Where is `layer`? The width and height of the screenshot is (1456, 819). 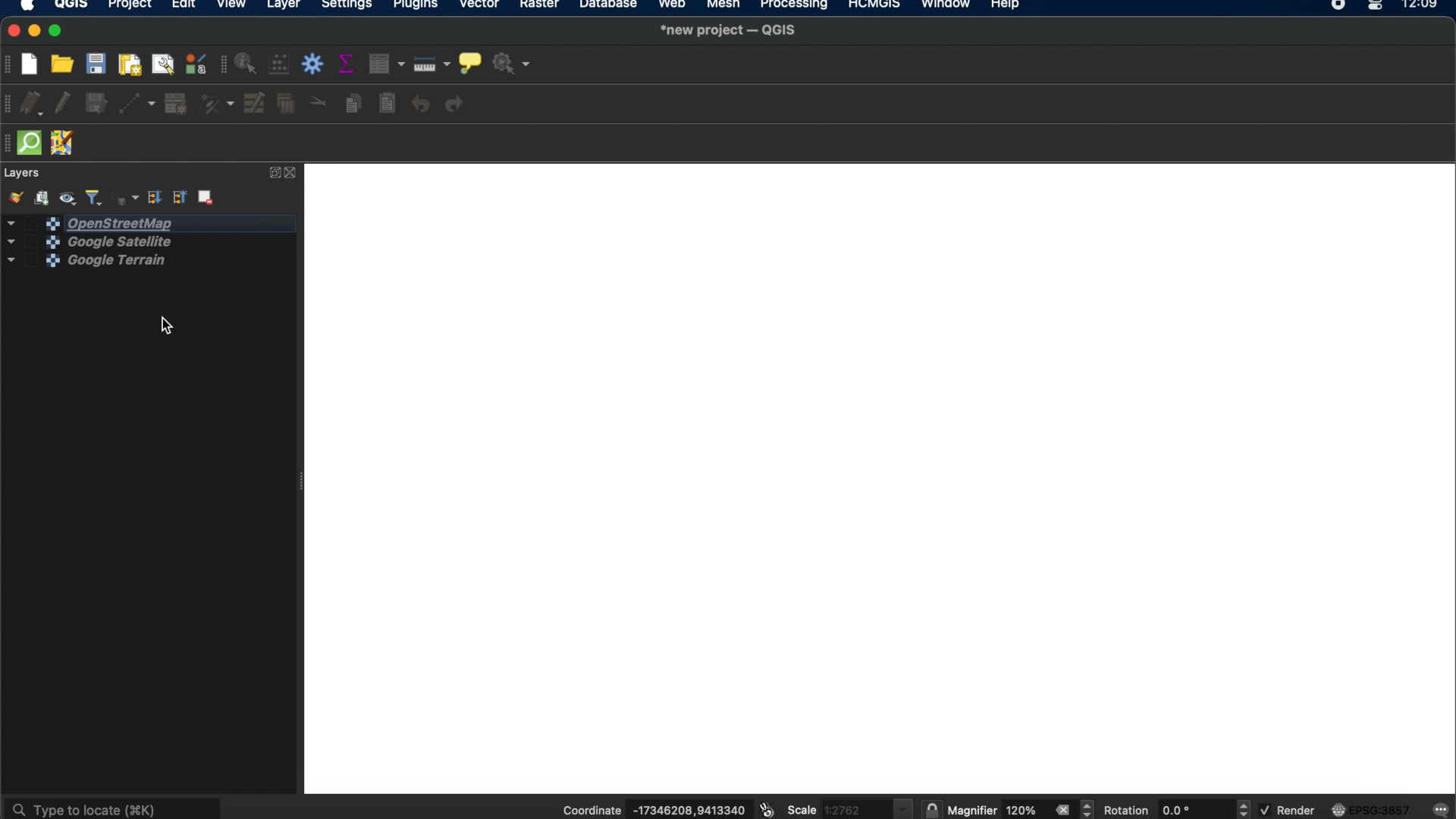 layer is located at coordinates (284, 6).